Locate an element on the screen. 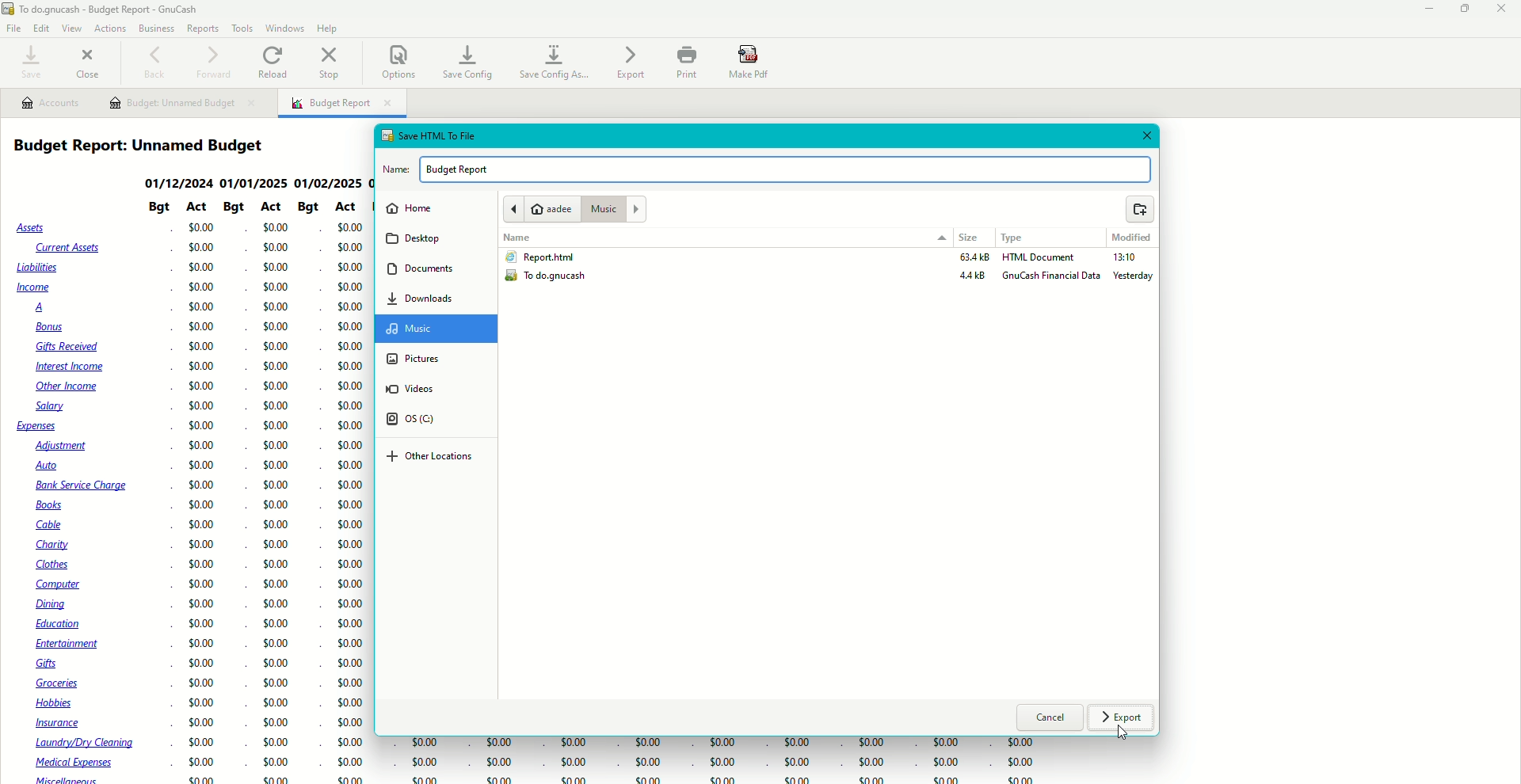  Edit is located at coordinates (42, 29).